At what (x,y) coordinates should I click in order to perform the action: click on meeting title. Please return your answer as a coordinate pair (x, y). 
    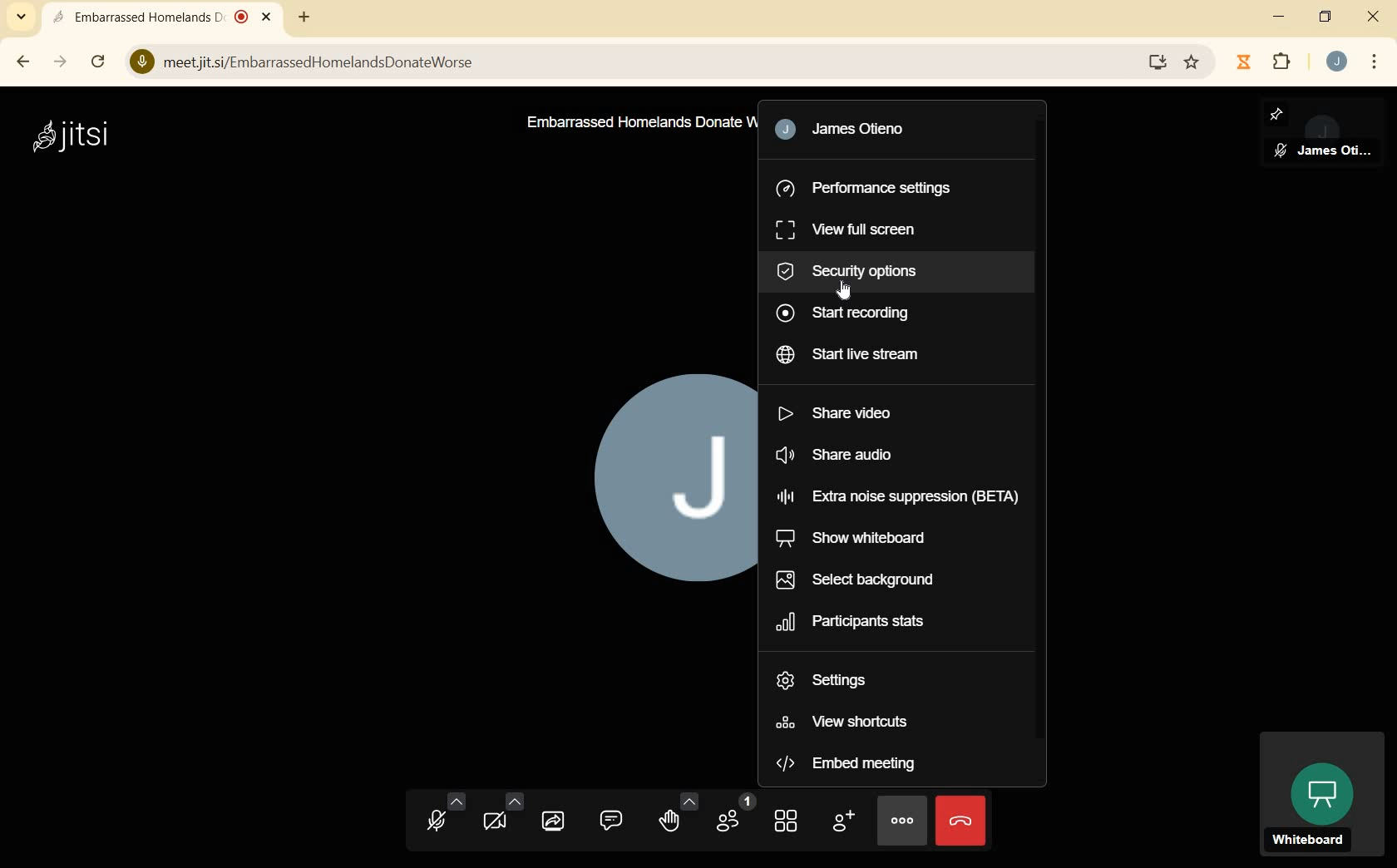
    Looking at the image, I should click on (632, 125).